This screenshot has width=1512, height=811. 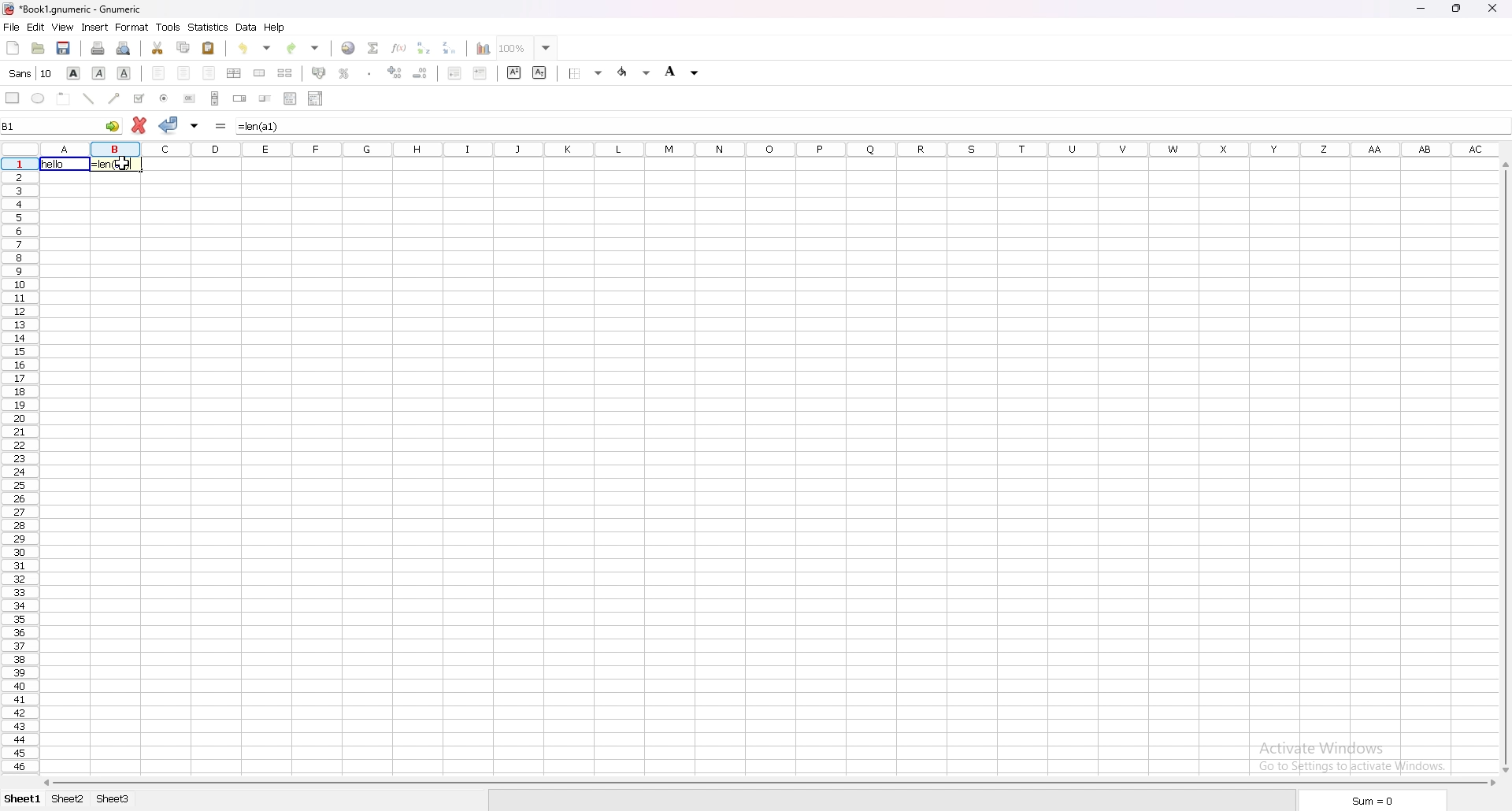 What do you see at coordinates (246, 28) in the screenshot?
I see `data` at bounding box center [246, 28].